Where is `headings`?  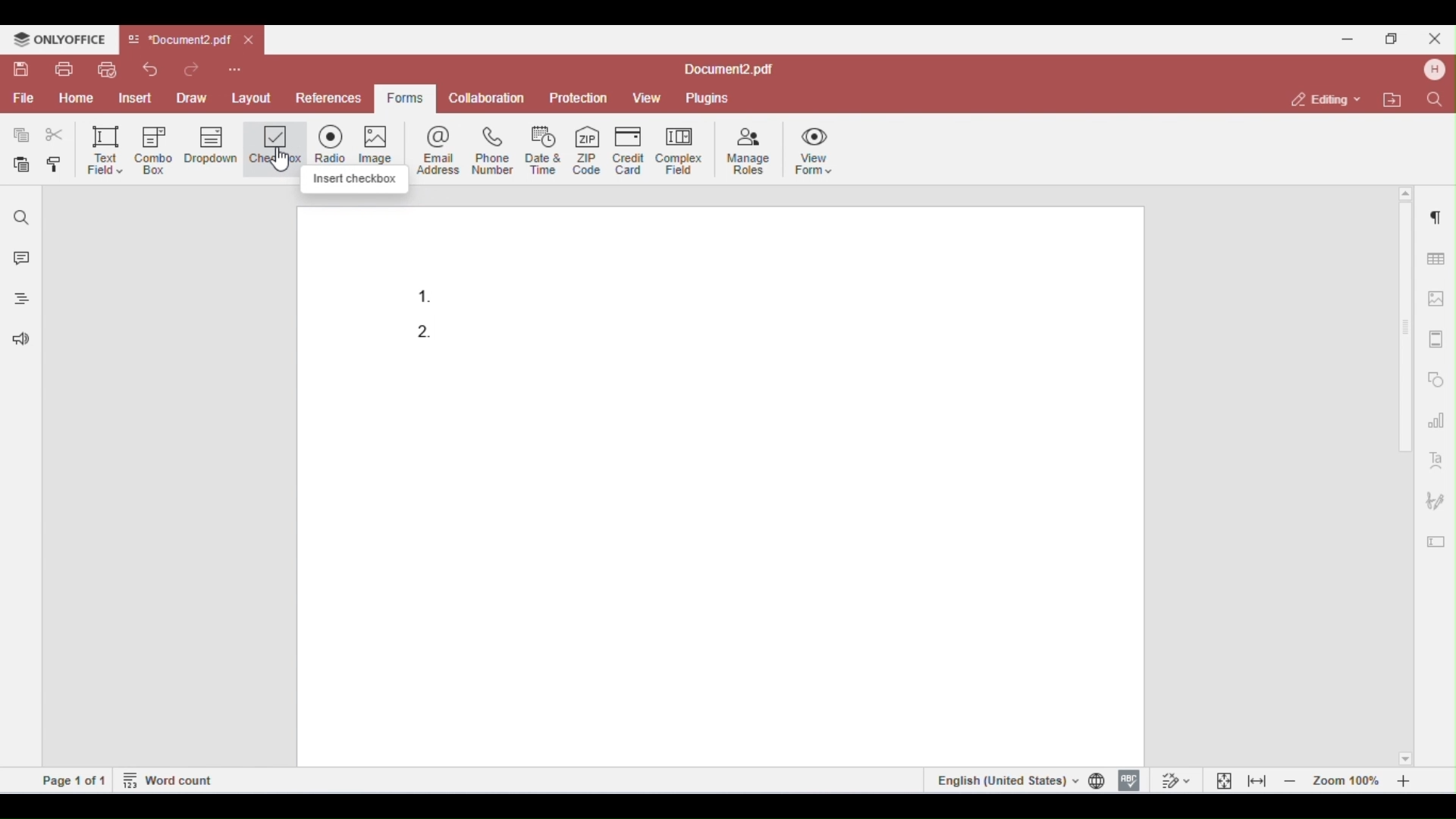 headings is located at coordinates (17, 301).